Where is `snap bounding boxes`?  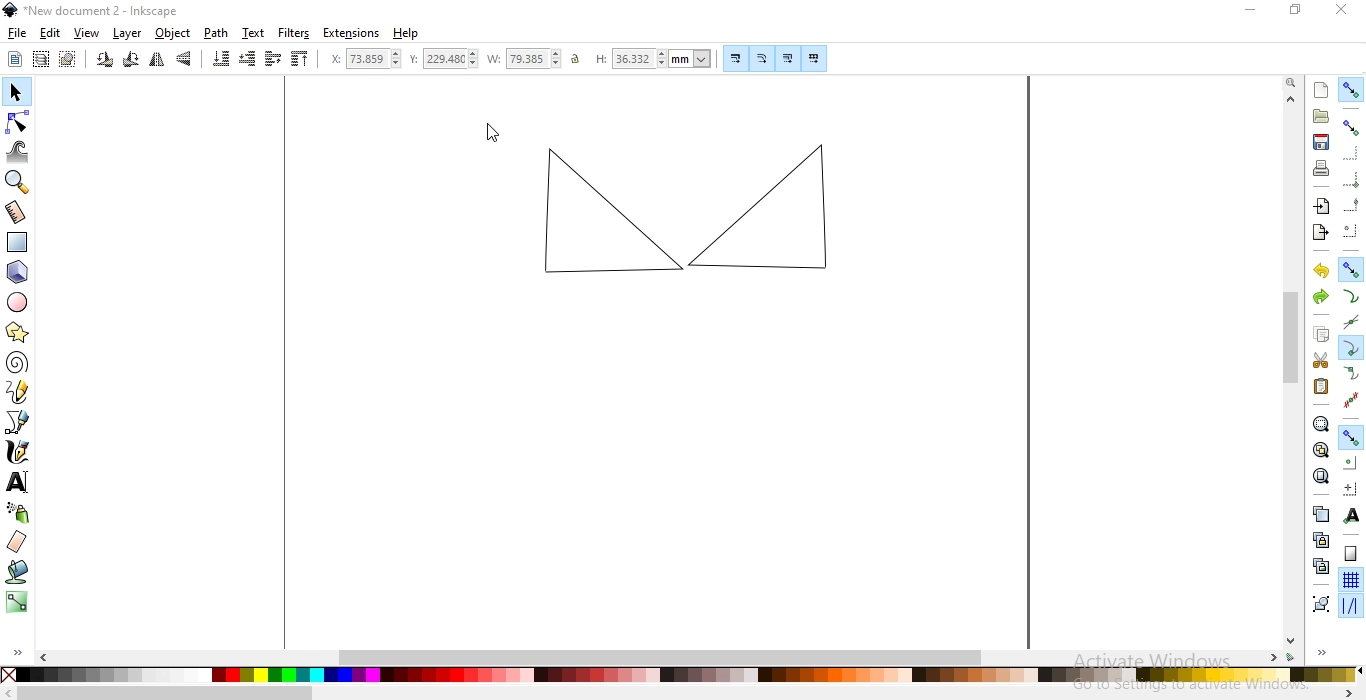
snap bounding boxes is located at coordinates (1352, 128).